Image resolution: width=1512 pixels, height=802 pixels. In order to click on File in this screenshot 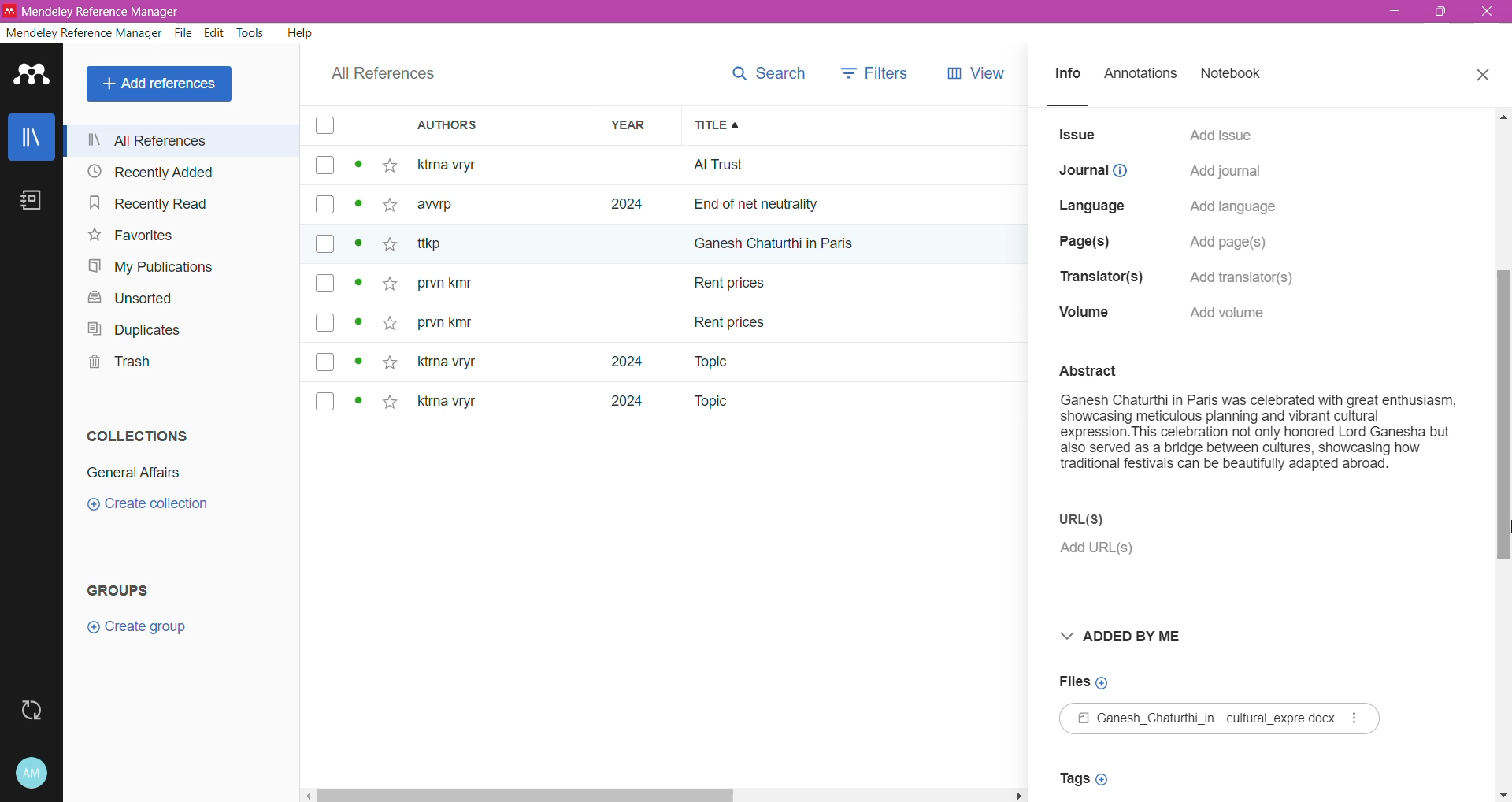, I will do `click(184, 35)`.